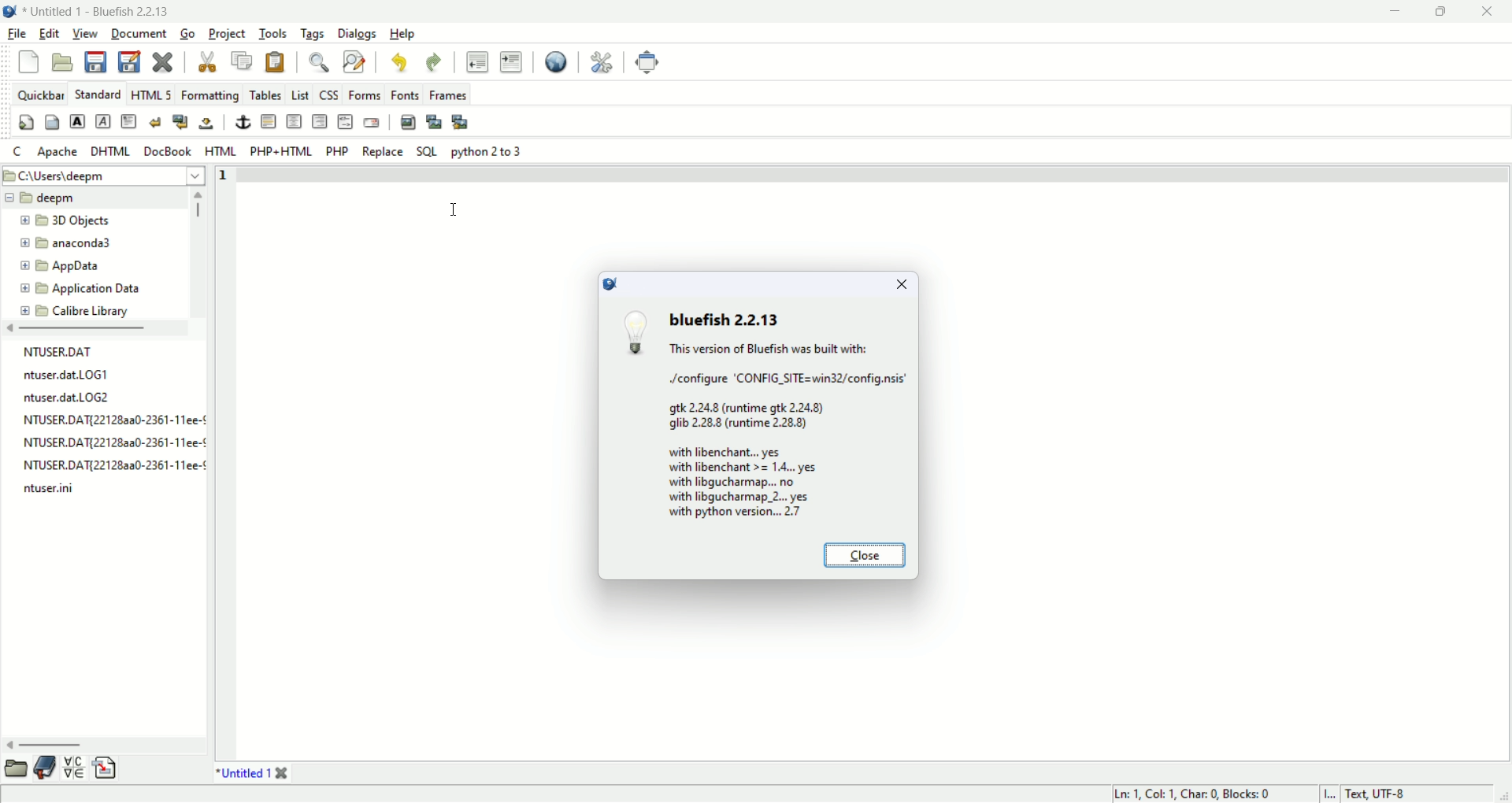 The width and height of the screenshot is (1512, 803). I want to click on quickbar, so click(40, 92).